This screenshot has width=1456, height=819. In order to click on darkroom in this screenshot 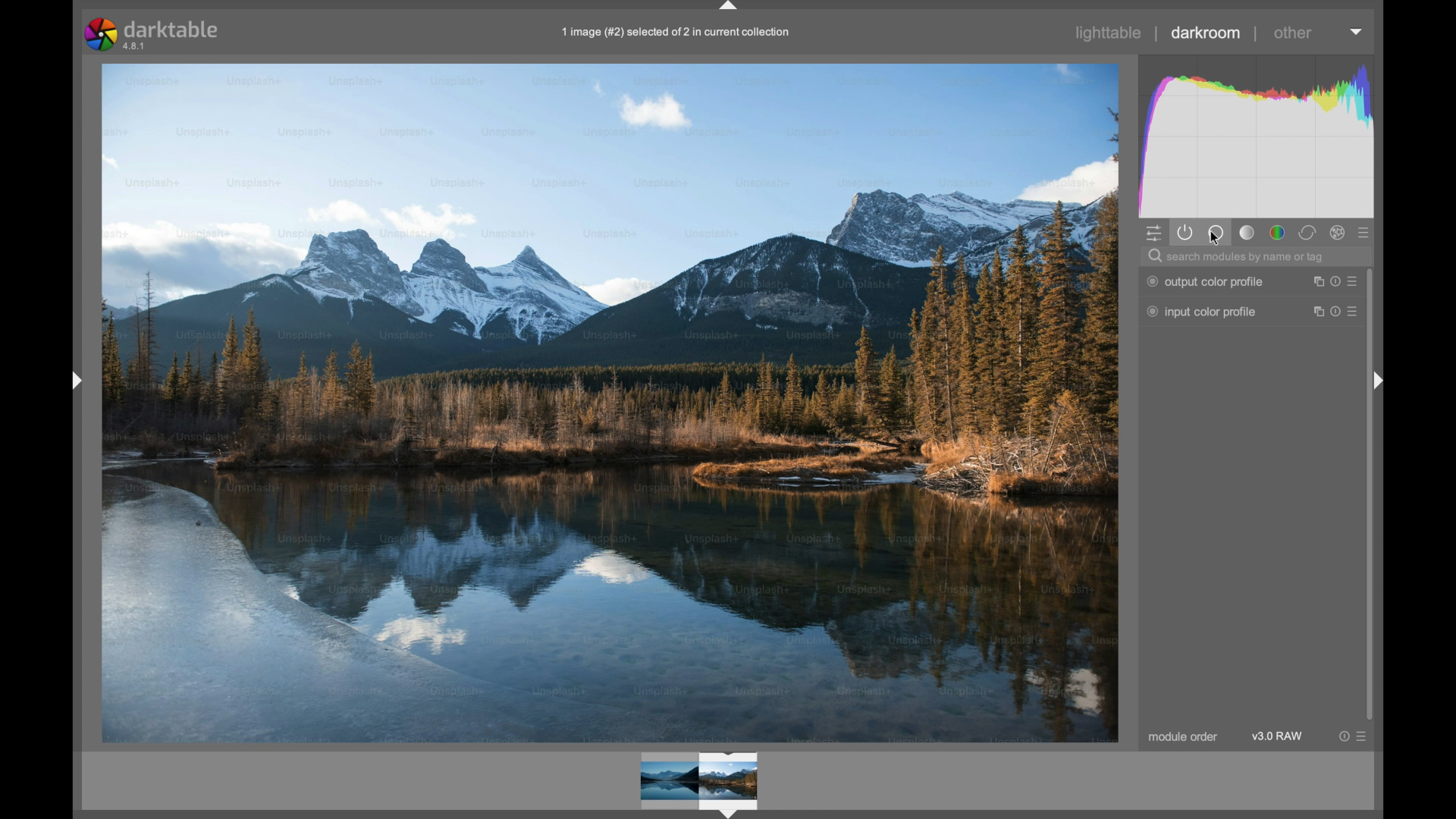, I will do `click(1207, 33)`.